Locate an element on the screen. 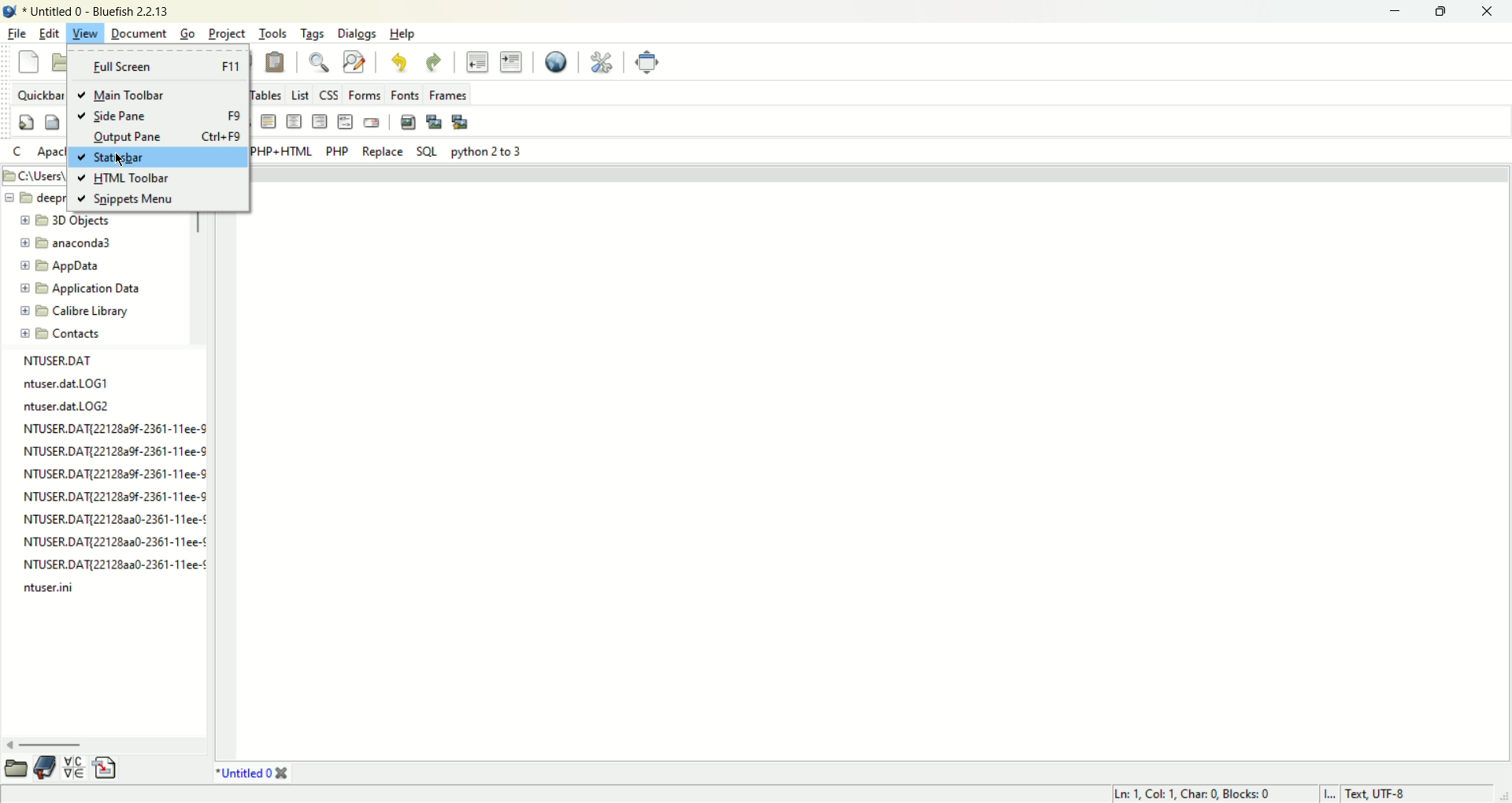 The width and height of the screenshot is (1512, 803). tags is located at coordinates (311, 33).